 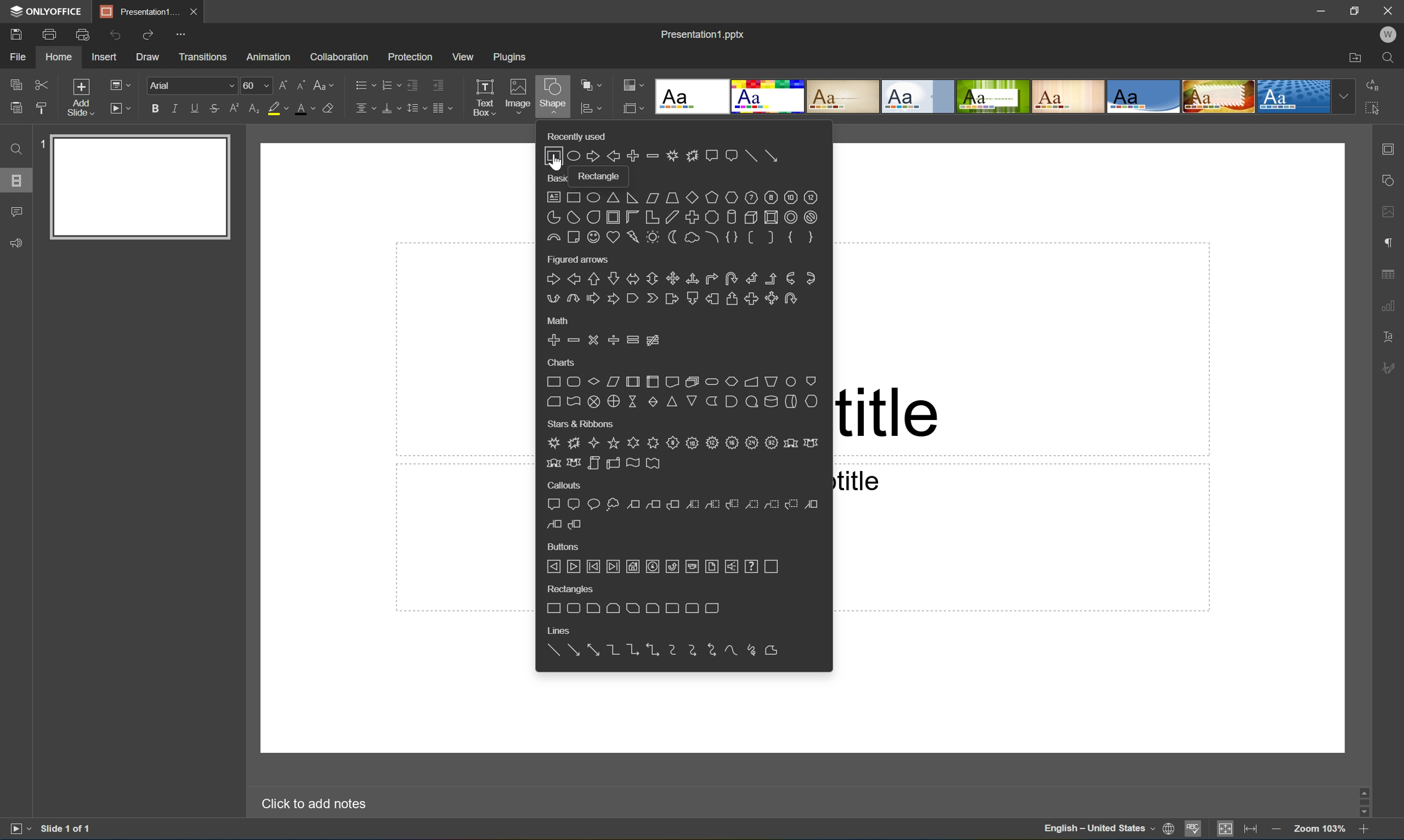 I want to click on Comments, so click(x=17, y=212).